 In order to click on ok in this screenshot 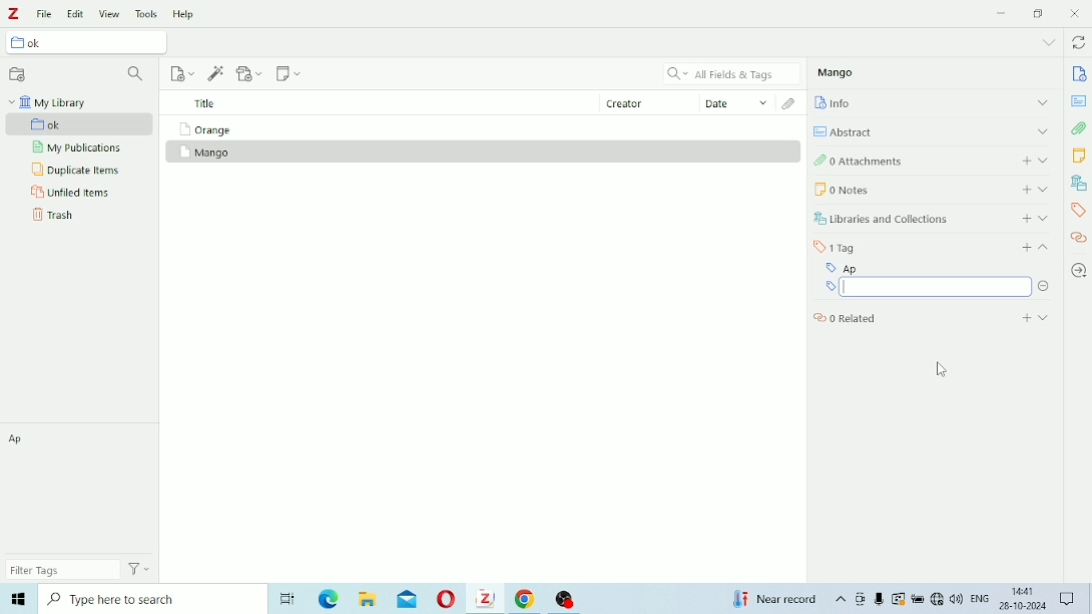, I will do `click(81, 124)`.